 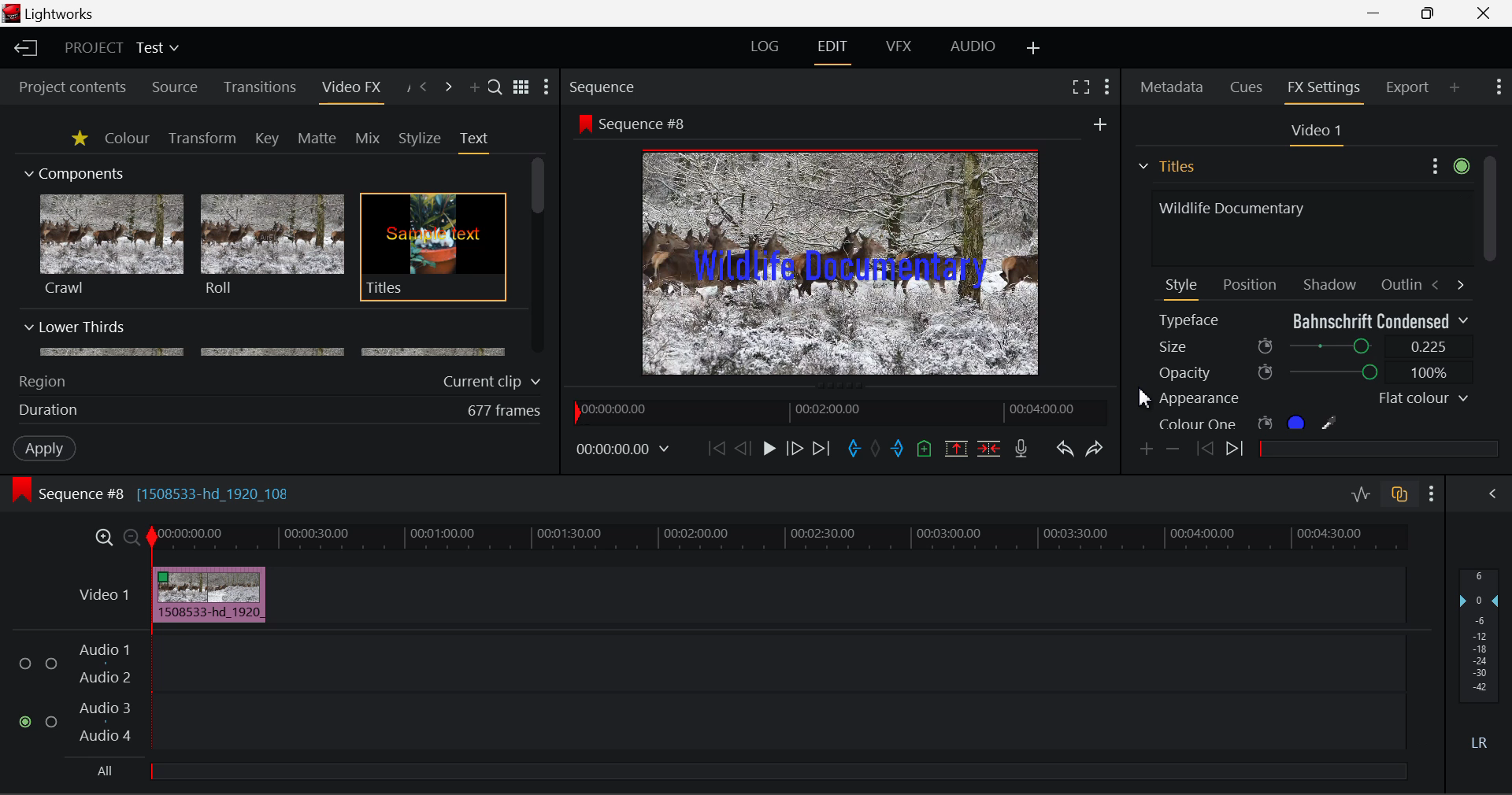 What do you see at coordinates (42, 382) in the screenshot?
I see `Region` at bounding box center [42, 382].